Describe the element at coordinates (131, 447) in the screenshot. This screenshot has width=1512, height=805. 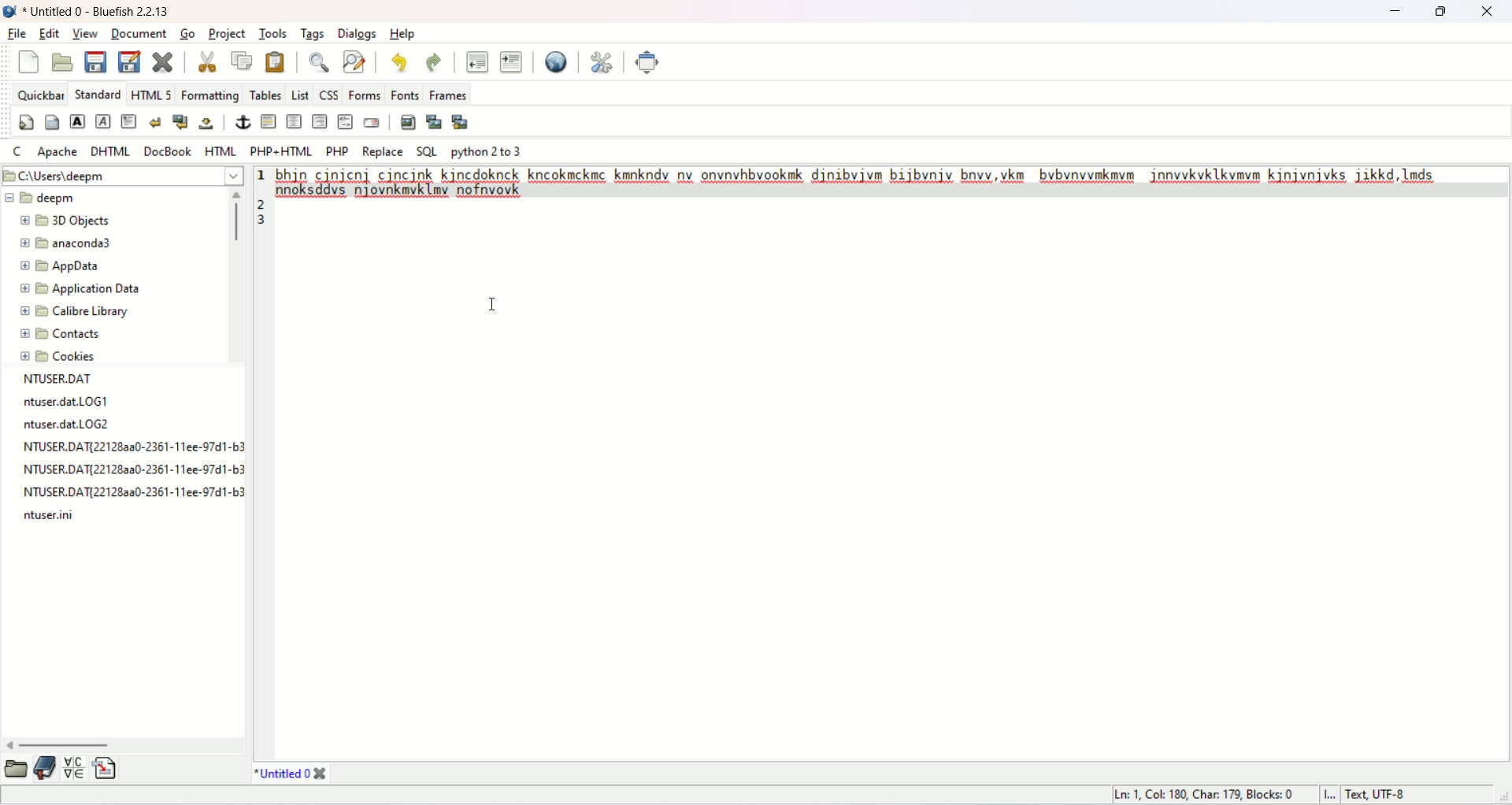
I see `text` at that location.